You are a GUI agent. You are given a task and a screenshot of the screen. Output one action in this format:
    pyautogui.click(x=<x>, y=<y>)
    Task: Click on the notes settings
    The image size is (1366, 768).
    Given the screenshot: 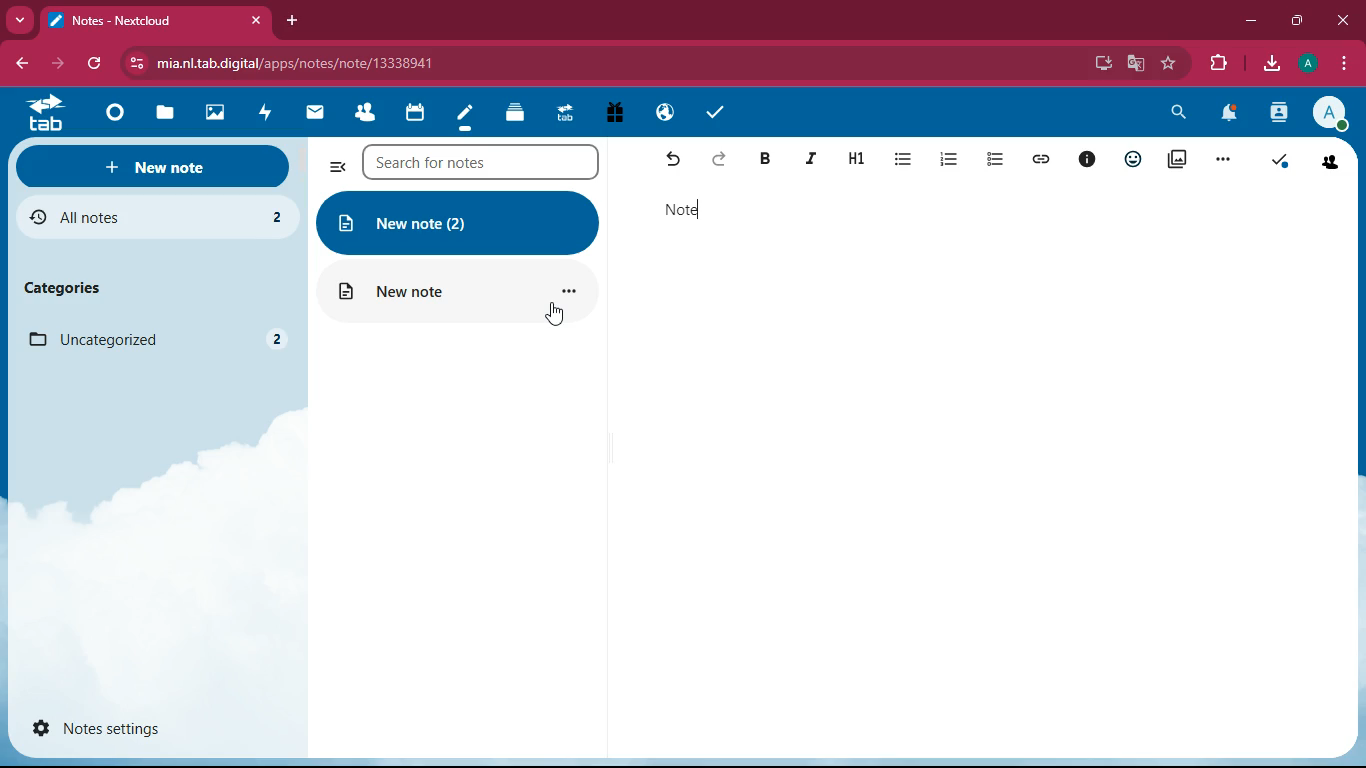 What is the action you would take?
    pyautogui.click(x=101, y=727)
    